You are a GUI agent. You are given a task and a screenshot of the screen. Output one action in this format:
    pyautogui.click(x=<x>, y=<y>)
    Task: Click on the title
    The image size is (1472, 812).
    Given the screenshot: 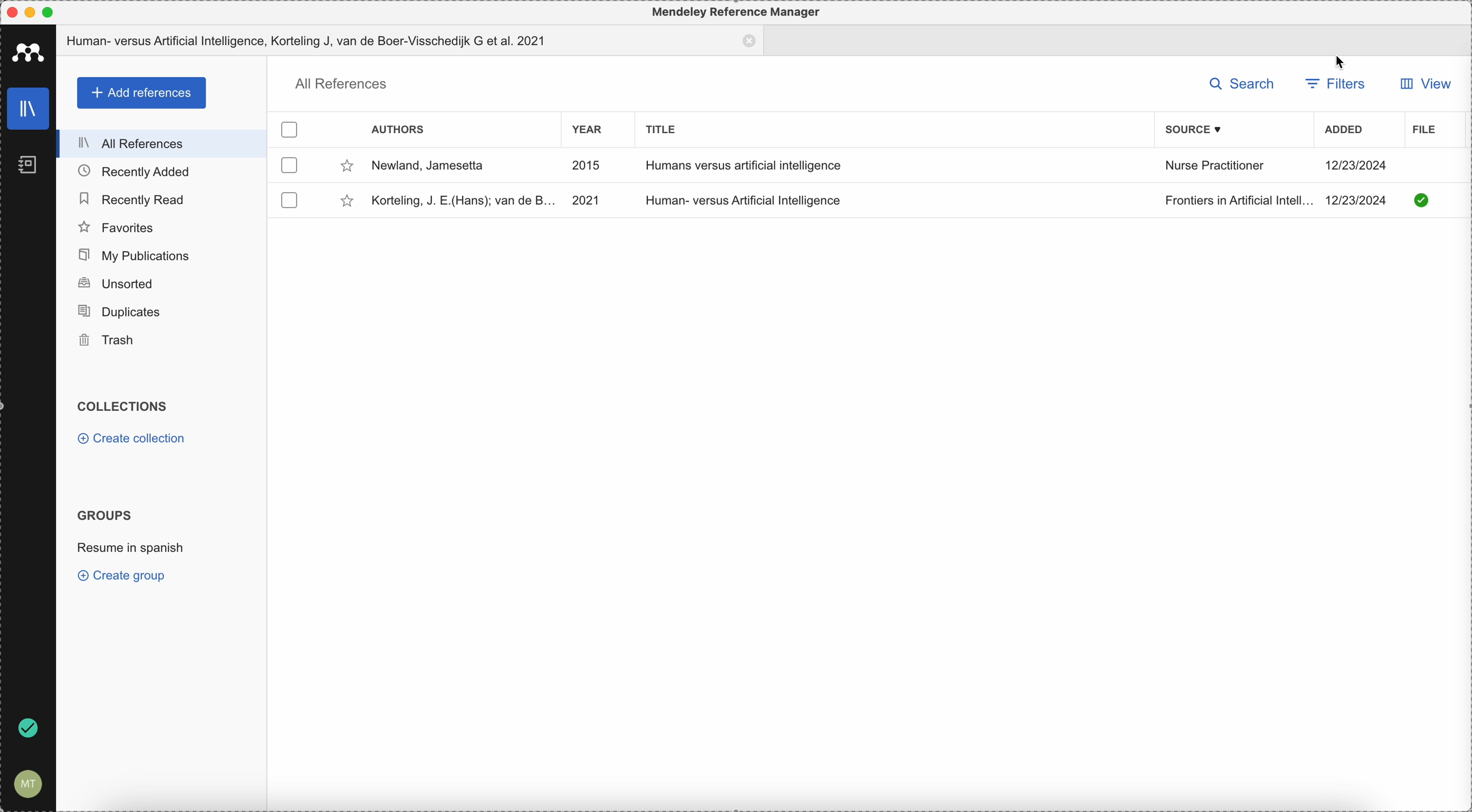 What is the action you would take?
    pyautogui.click(x=666, y=129)
    